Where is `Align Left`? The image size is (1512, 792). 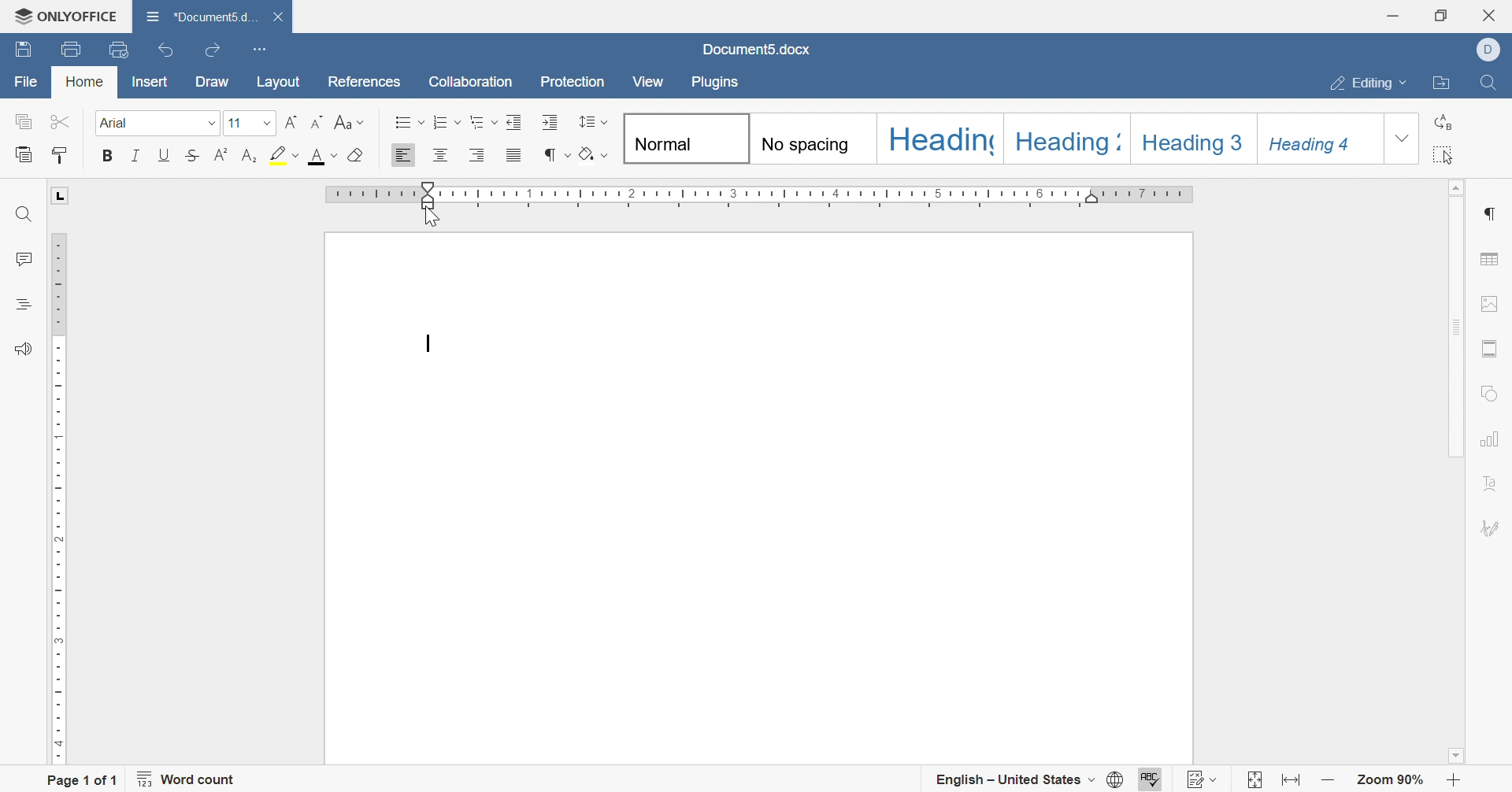
Align Left is located at coordinates (402, 156).